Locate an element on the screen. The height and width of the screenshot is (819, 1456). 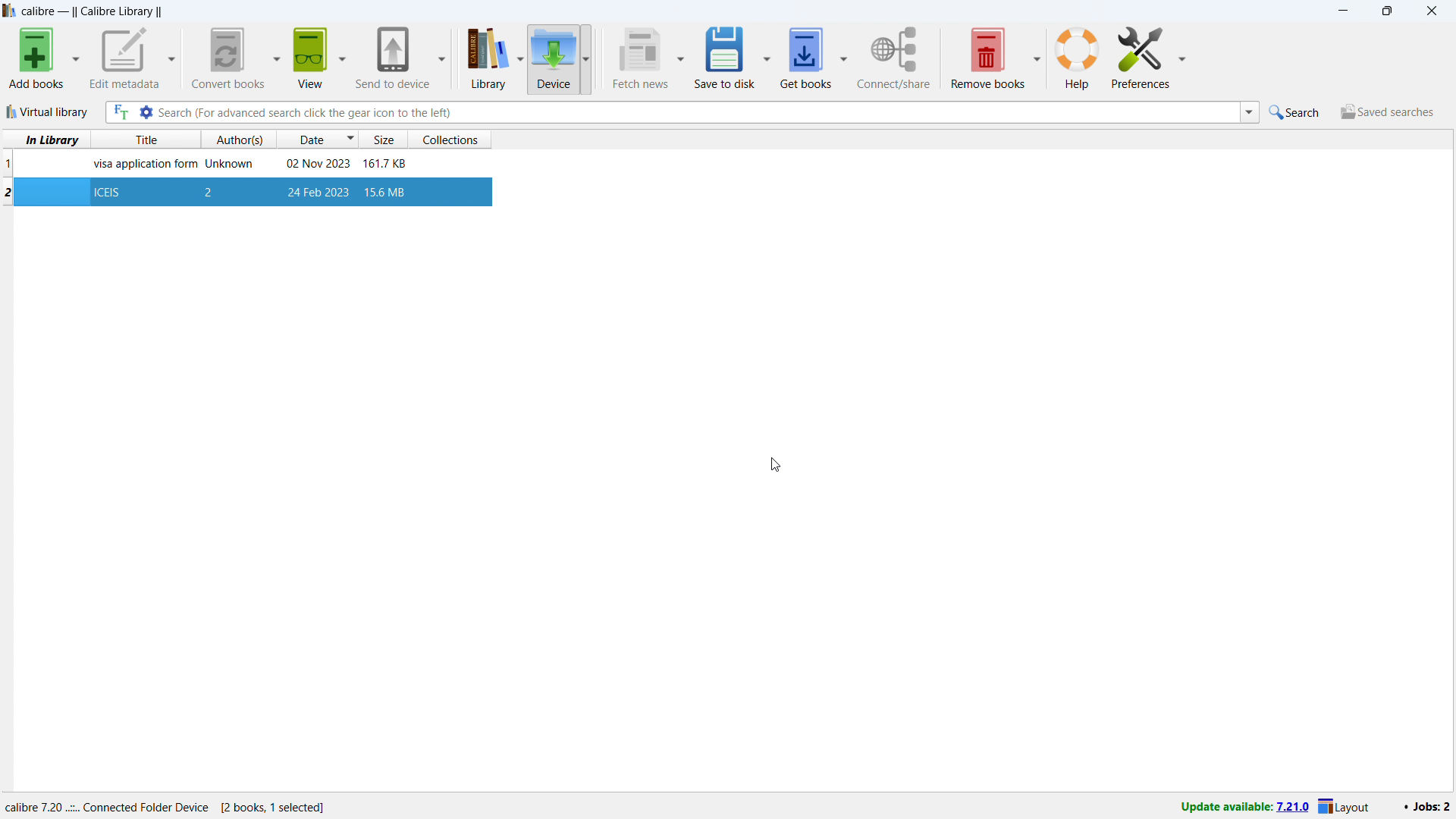
save to disk is located at coordinates (723, 57).